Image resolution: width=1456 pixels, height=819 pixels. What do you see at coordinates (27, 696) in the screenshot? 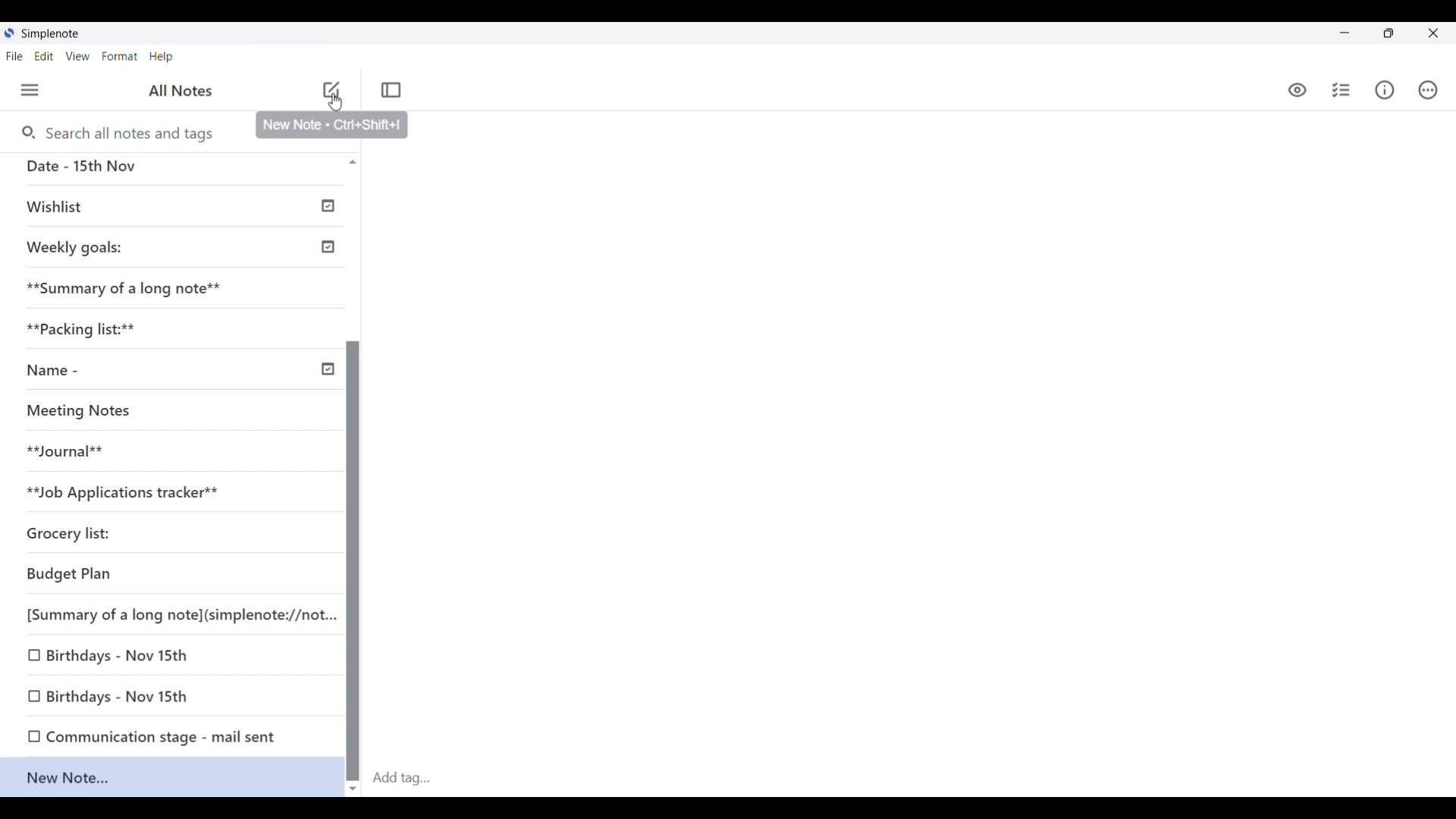
I see `checkbox` at bounding box center [27, 696].